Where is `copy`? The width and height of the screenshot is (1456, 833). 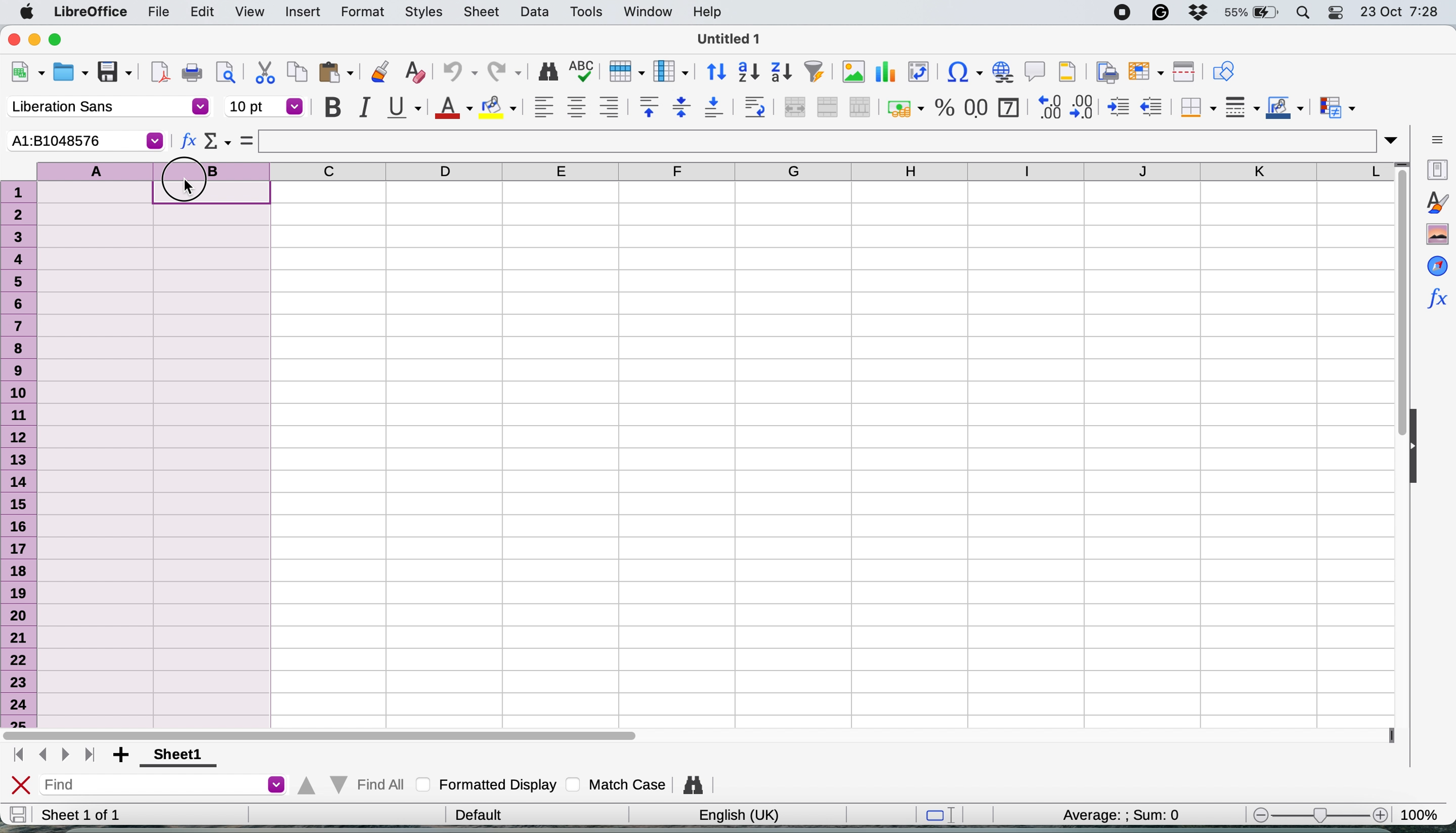 copy is located at coordinates (297, 74).